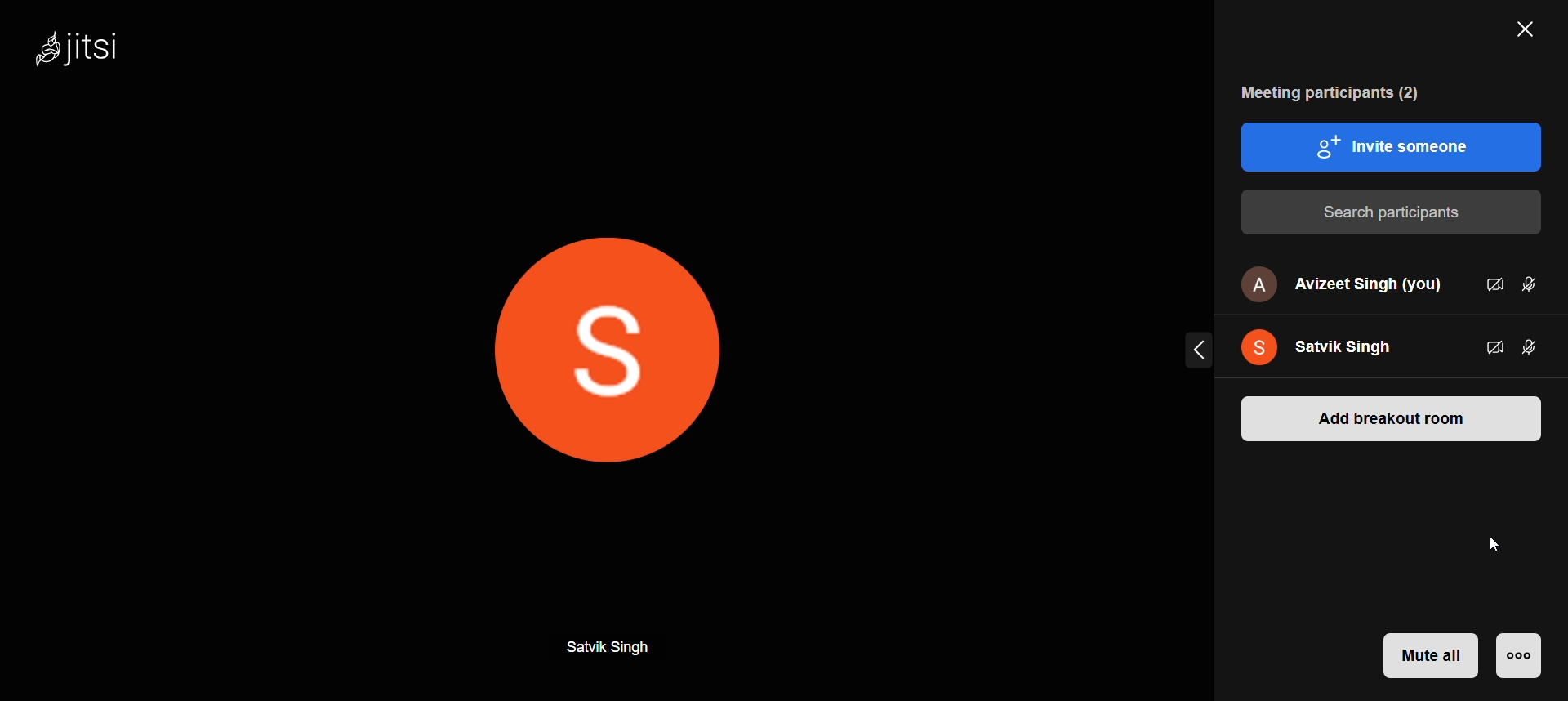 The width and height of the screenshot is (1568, 701). I want to click on meeting participants, so click(1334, 93).